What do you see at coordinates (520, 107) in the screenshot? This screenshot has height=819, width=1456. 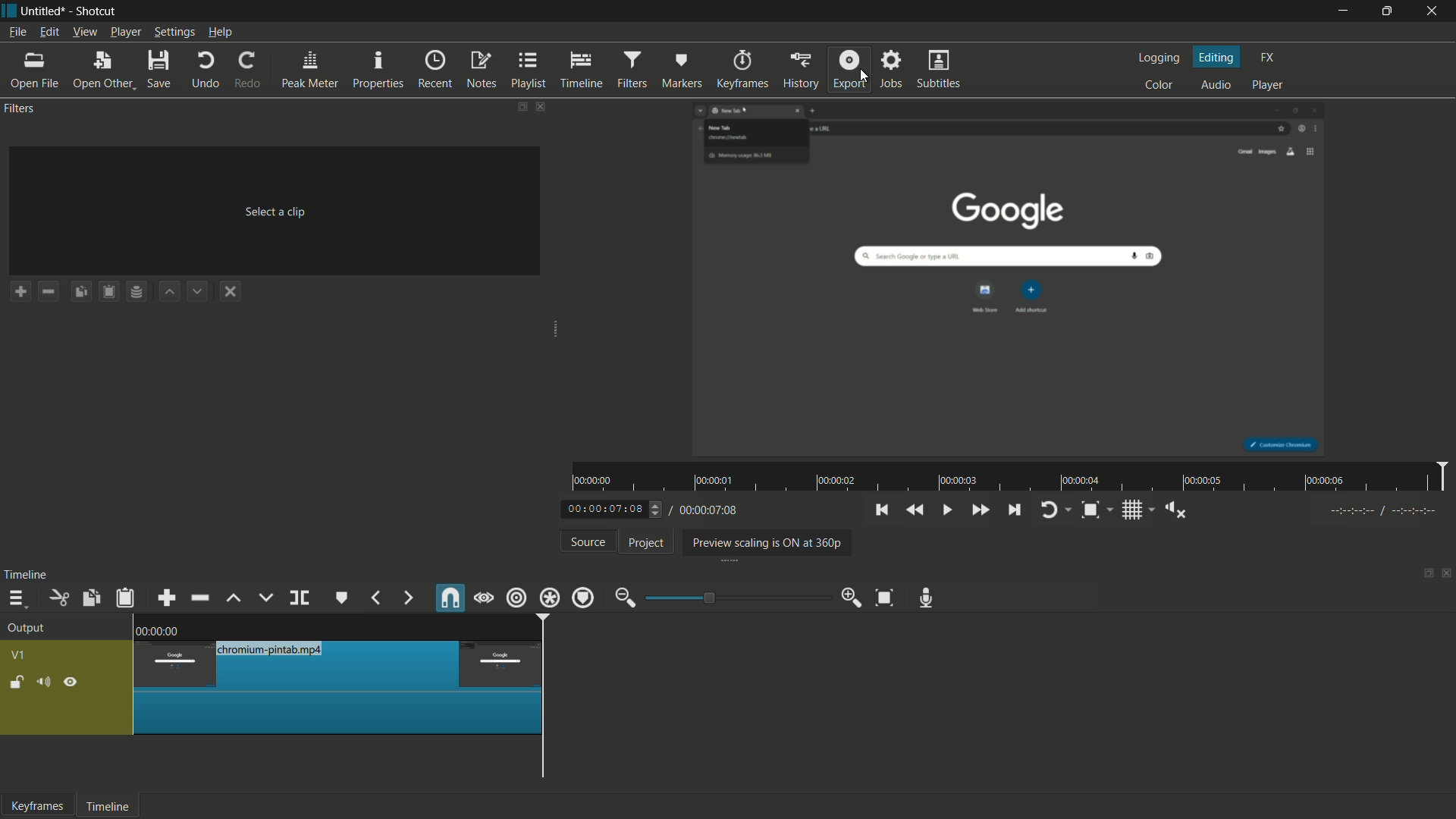 I see `change layout` at bounding box center [520, 107].